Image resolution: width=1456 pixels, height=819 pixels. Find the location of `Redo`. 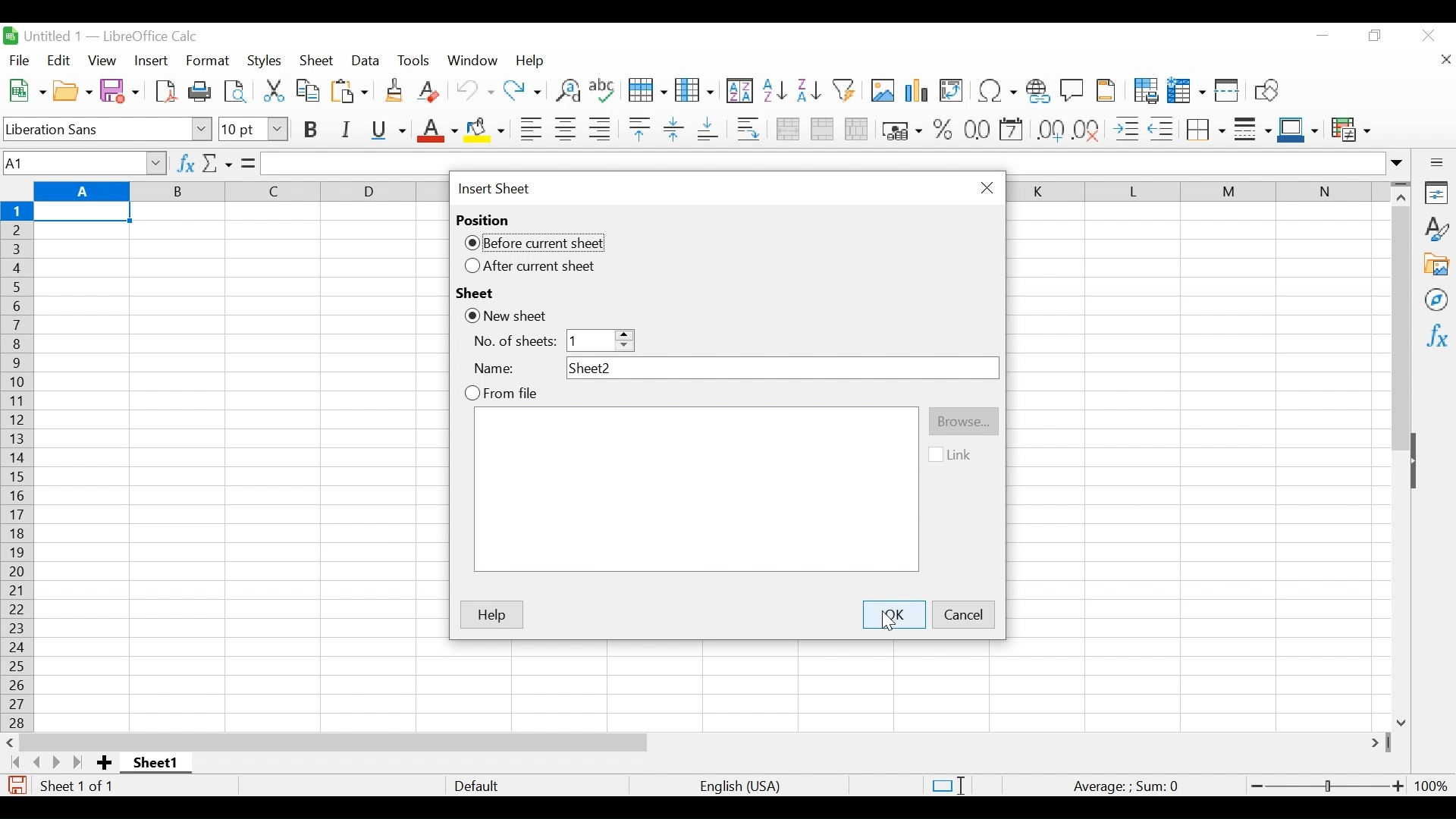

Redo is located at coordinates (522, 91).